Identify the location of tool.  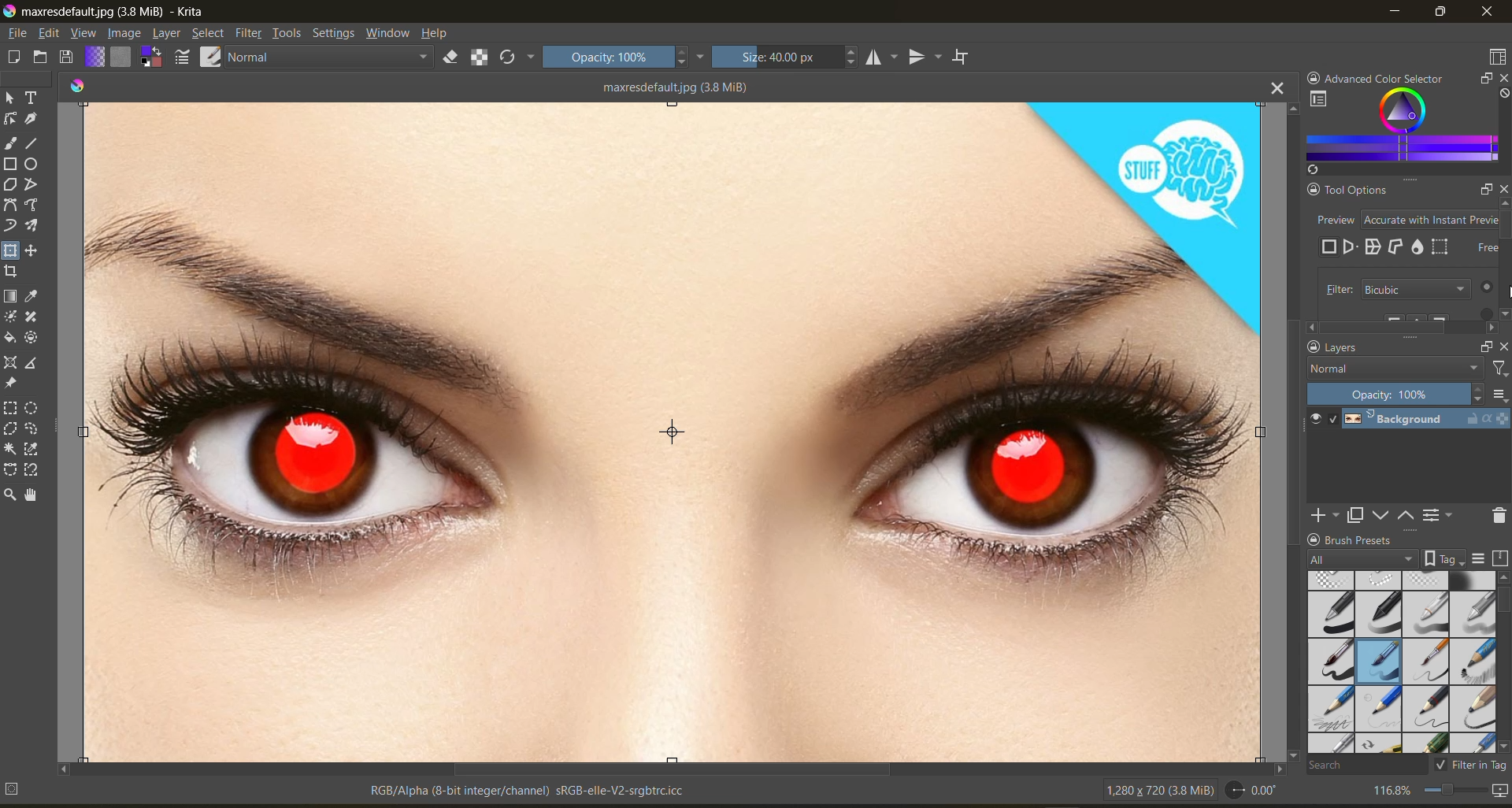
(33, 450).